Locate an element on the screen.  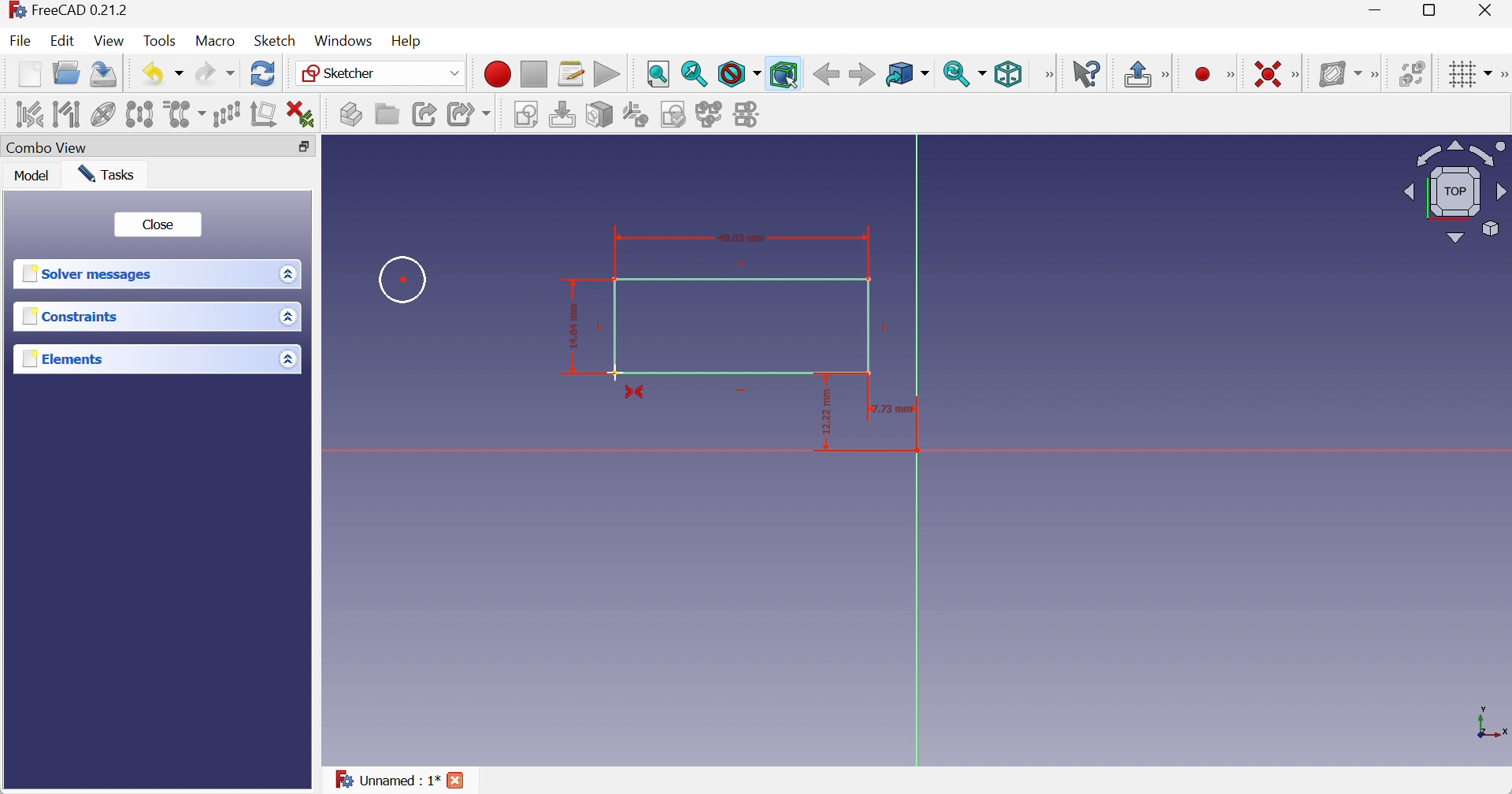
Map sketch to face... is located at coordinates (599, 116).